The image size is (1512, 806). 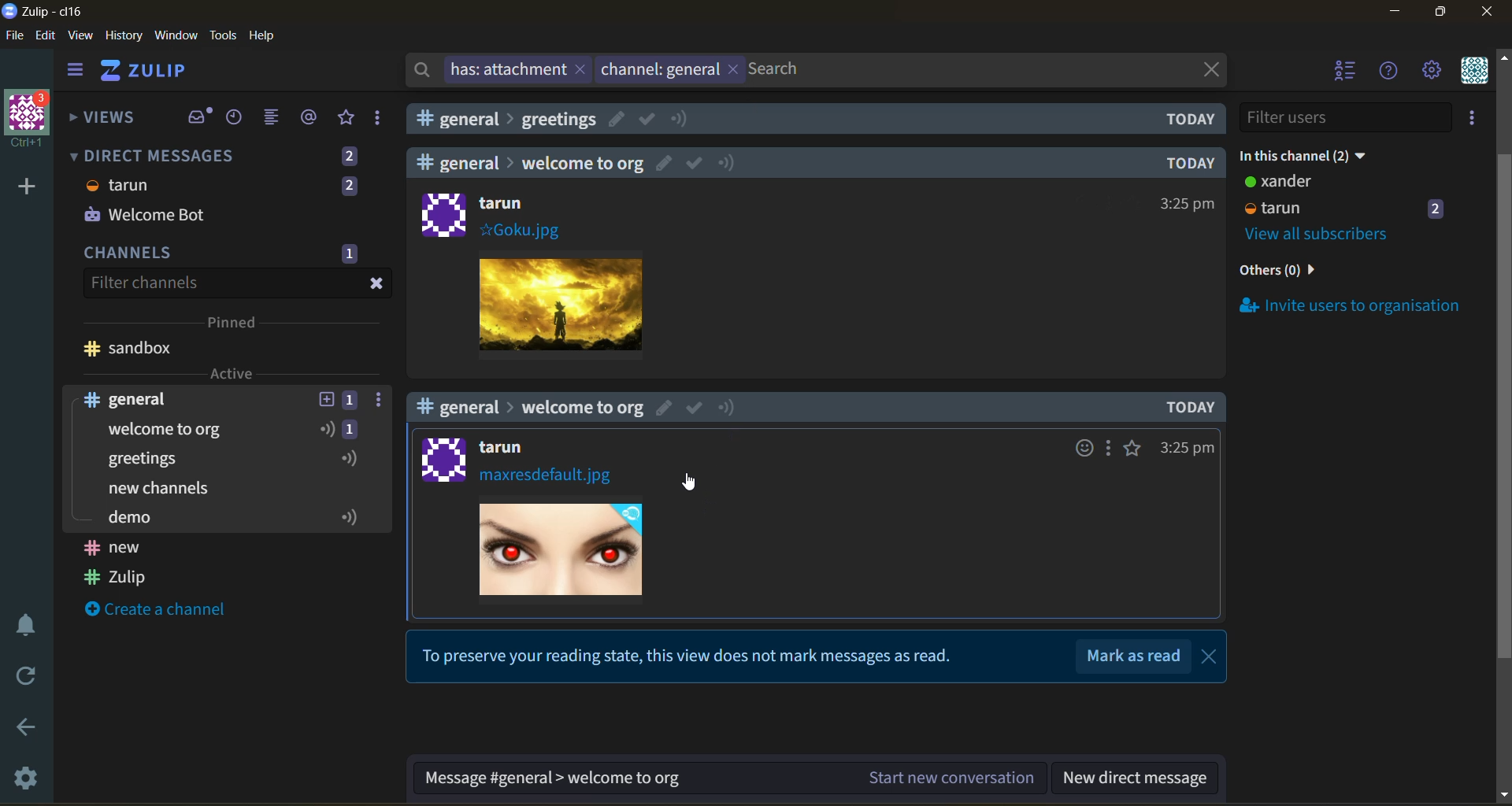 What do you see at coordinates (354, 458) in the screenshot?
I see `icon` at bounding box center [354, 458].